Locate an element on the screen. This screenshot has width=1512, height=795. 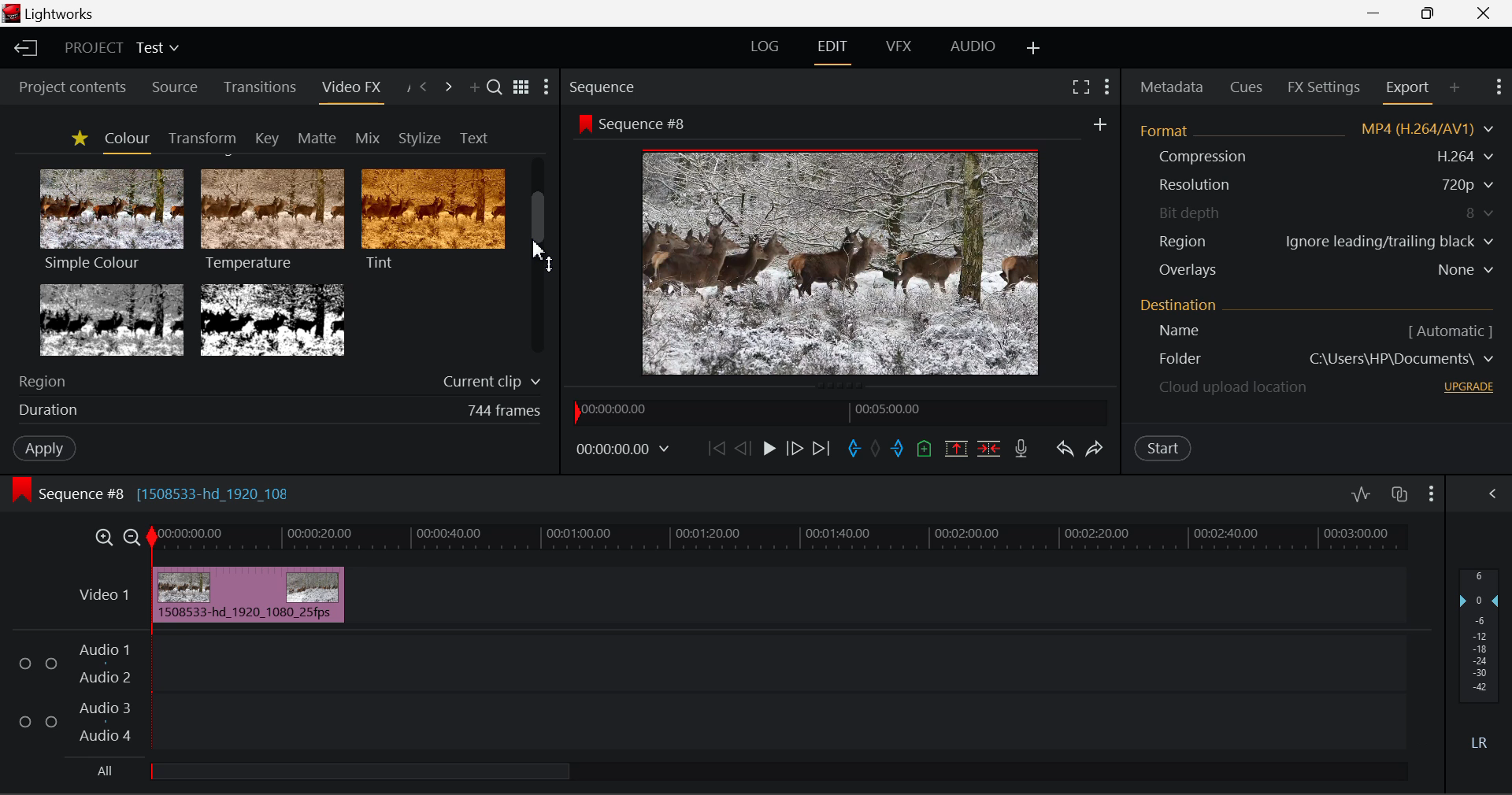
Format is located at coordinates (1168, 129).